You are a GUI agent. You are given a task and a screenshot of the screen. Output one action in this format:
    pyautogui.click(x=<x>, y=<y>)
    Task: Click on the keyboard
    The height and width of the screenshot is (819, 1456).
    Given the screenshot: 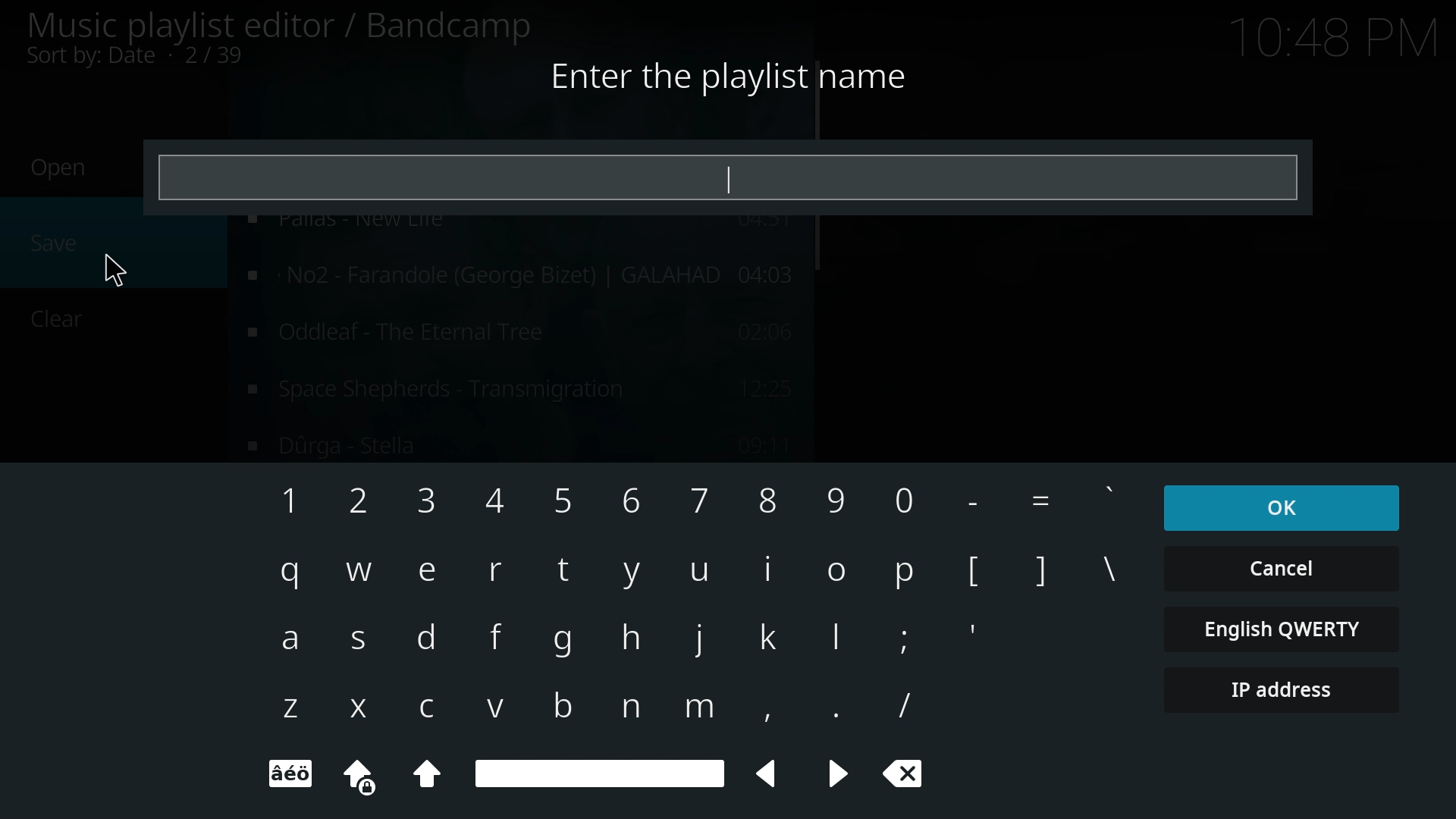 What is the action you would take?
    pyautogui.click(x=698, y=642)
    